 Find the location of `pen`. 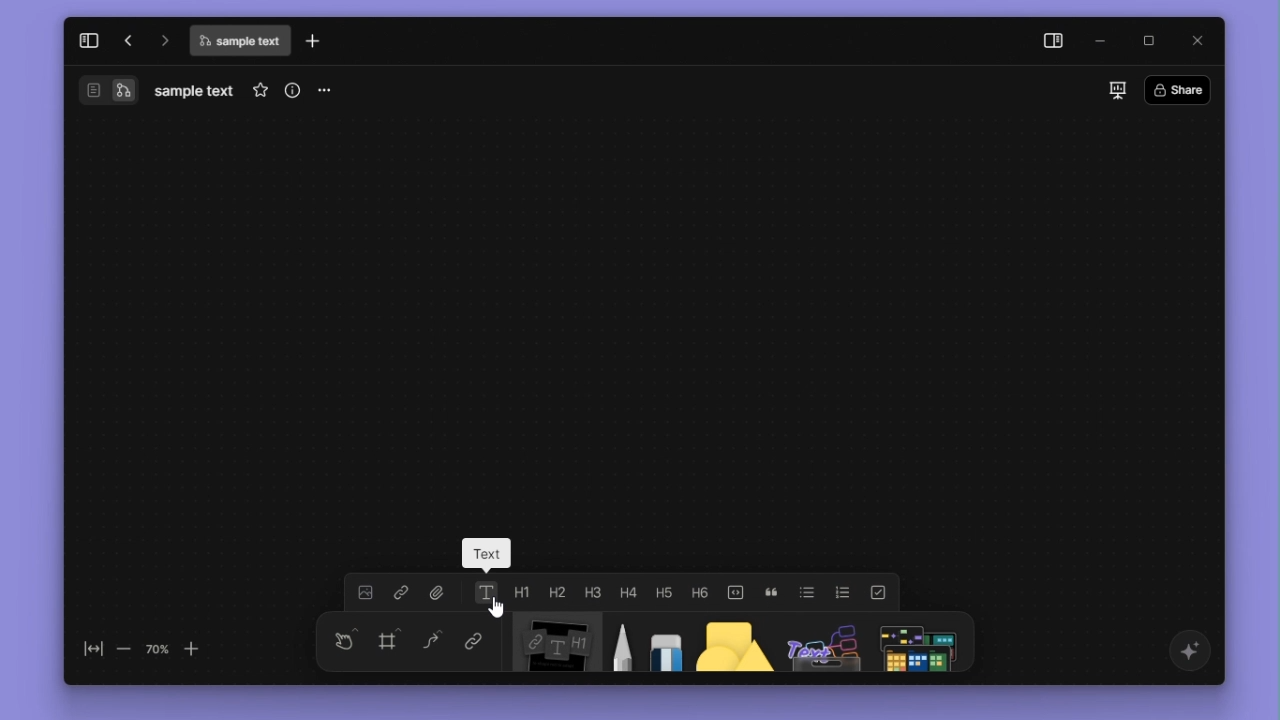

pen is located at coordinates (618, 644).